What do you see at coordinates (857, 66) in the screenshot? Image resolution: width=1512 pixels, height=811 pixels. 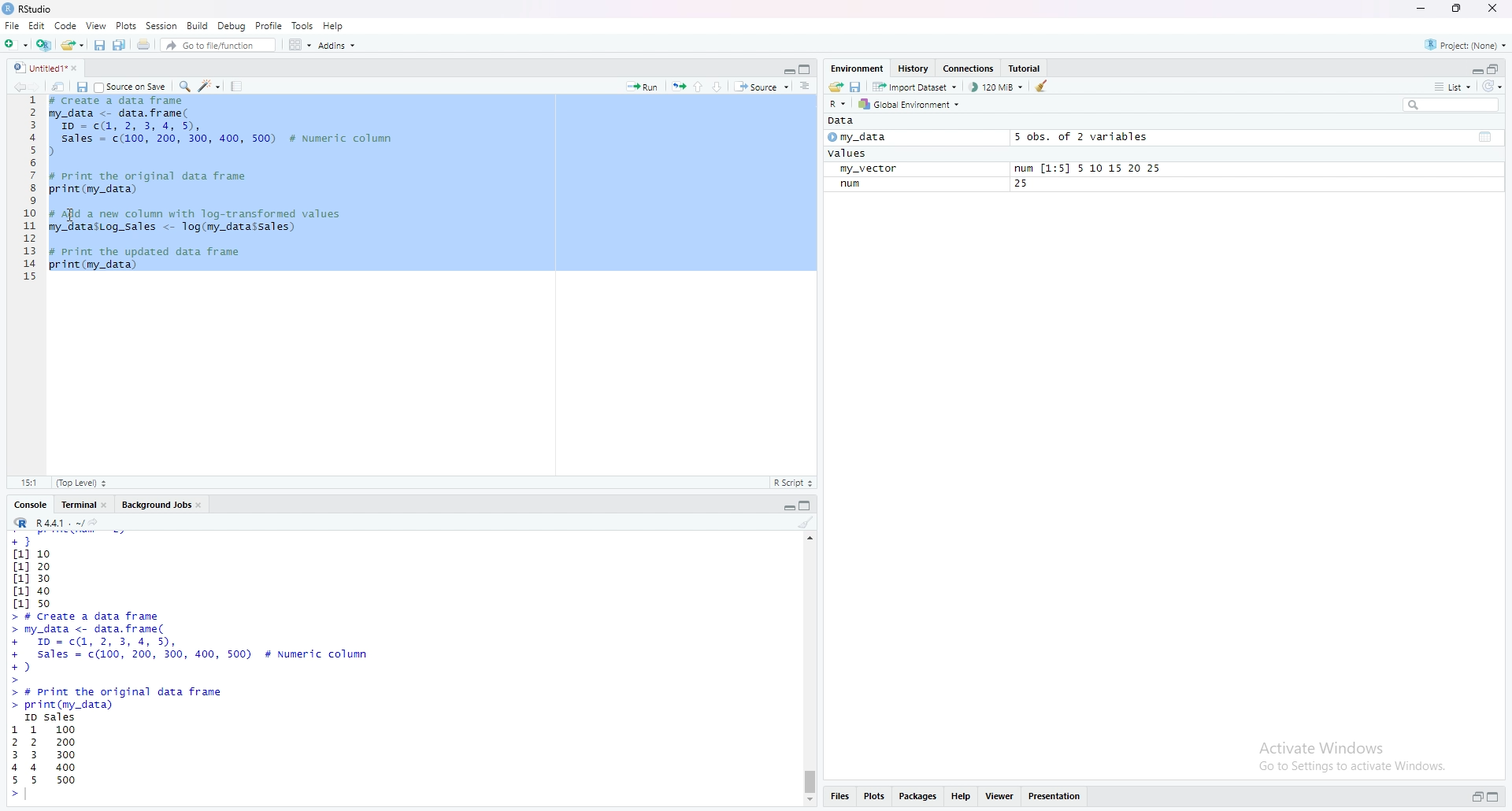 I see `environment` at bounding box center [857, 66].